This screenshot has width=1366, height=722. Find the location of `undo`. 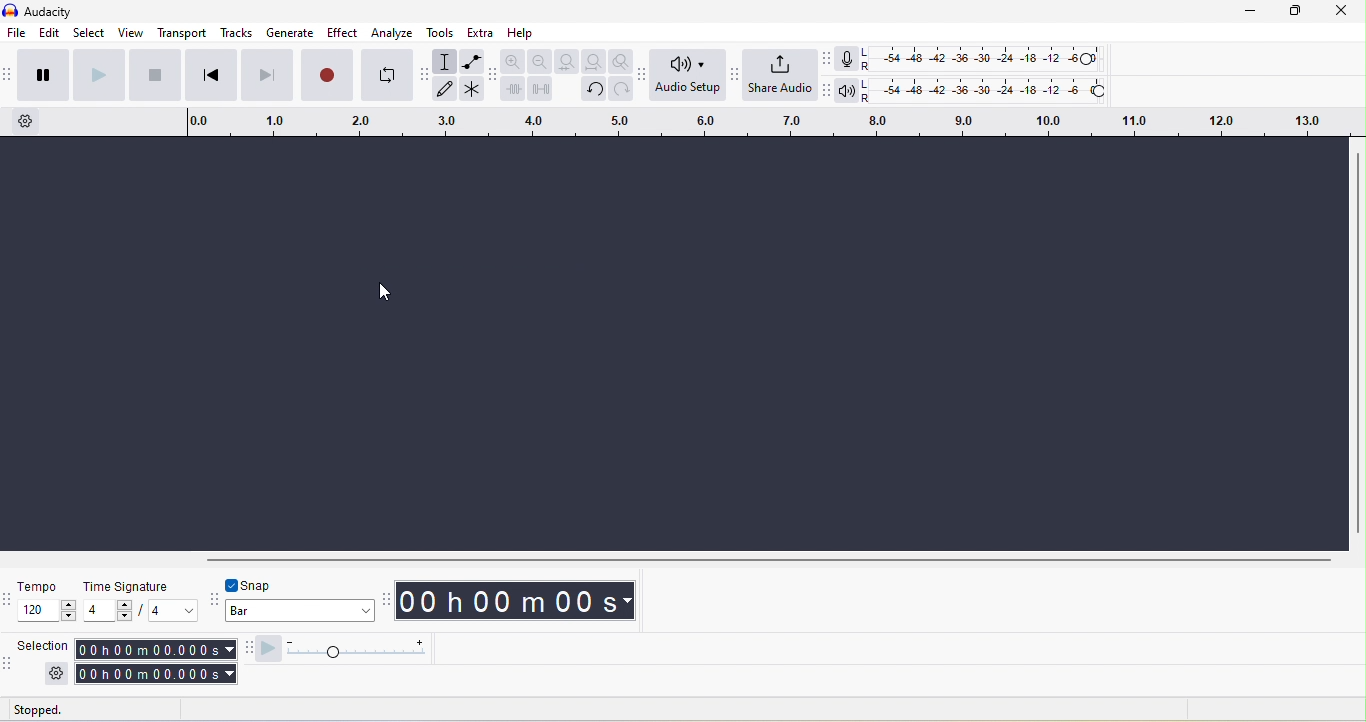

undo is located at coordinates (594, 90).